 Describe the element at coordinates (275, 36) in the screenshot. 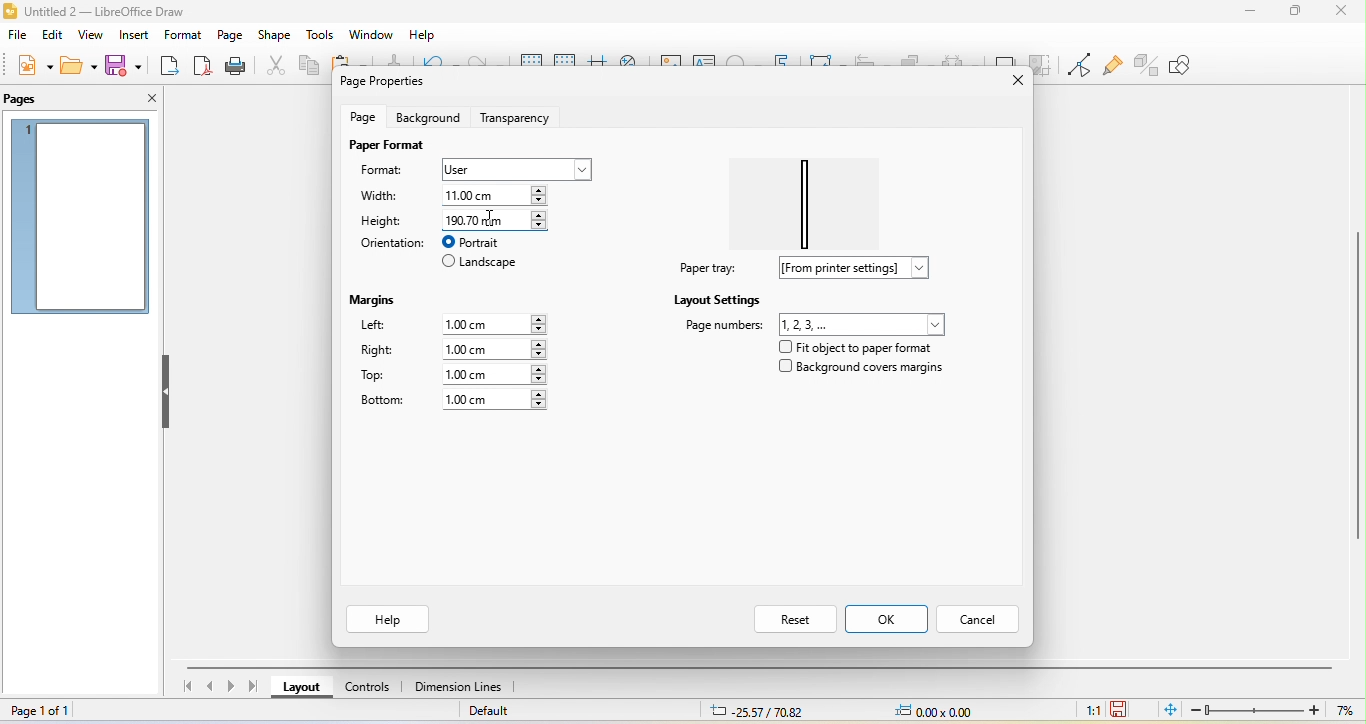

I see `shape` at that location.